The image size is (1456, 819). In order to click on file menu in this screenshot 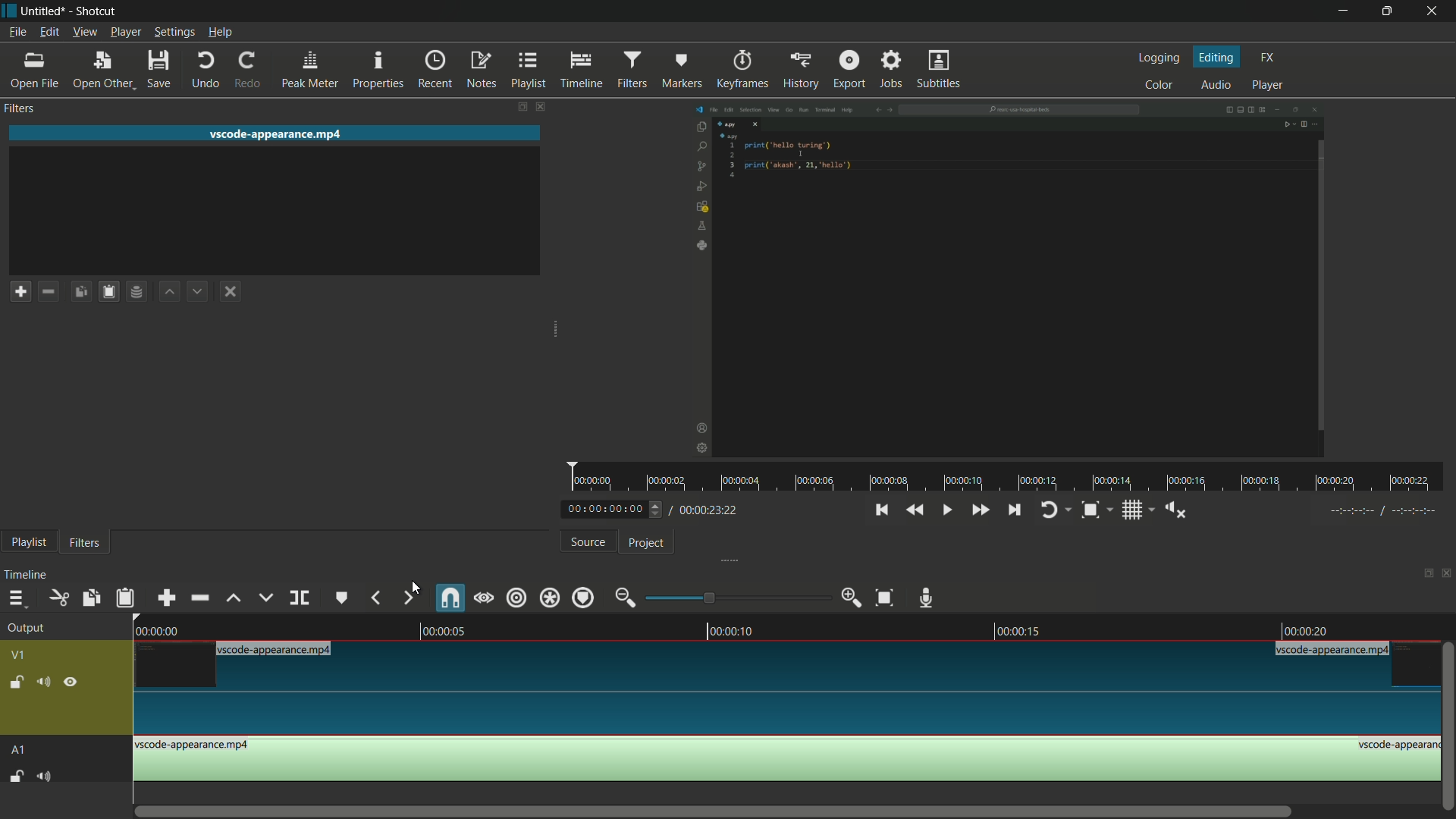, I will do `click(15, 32)`.